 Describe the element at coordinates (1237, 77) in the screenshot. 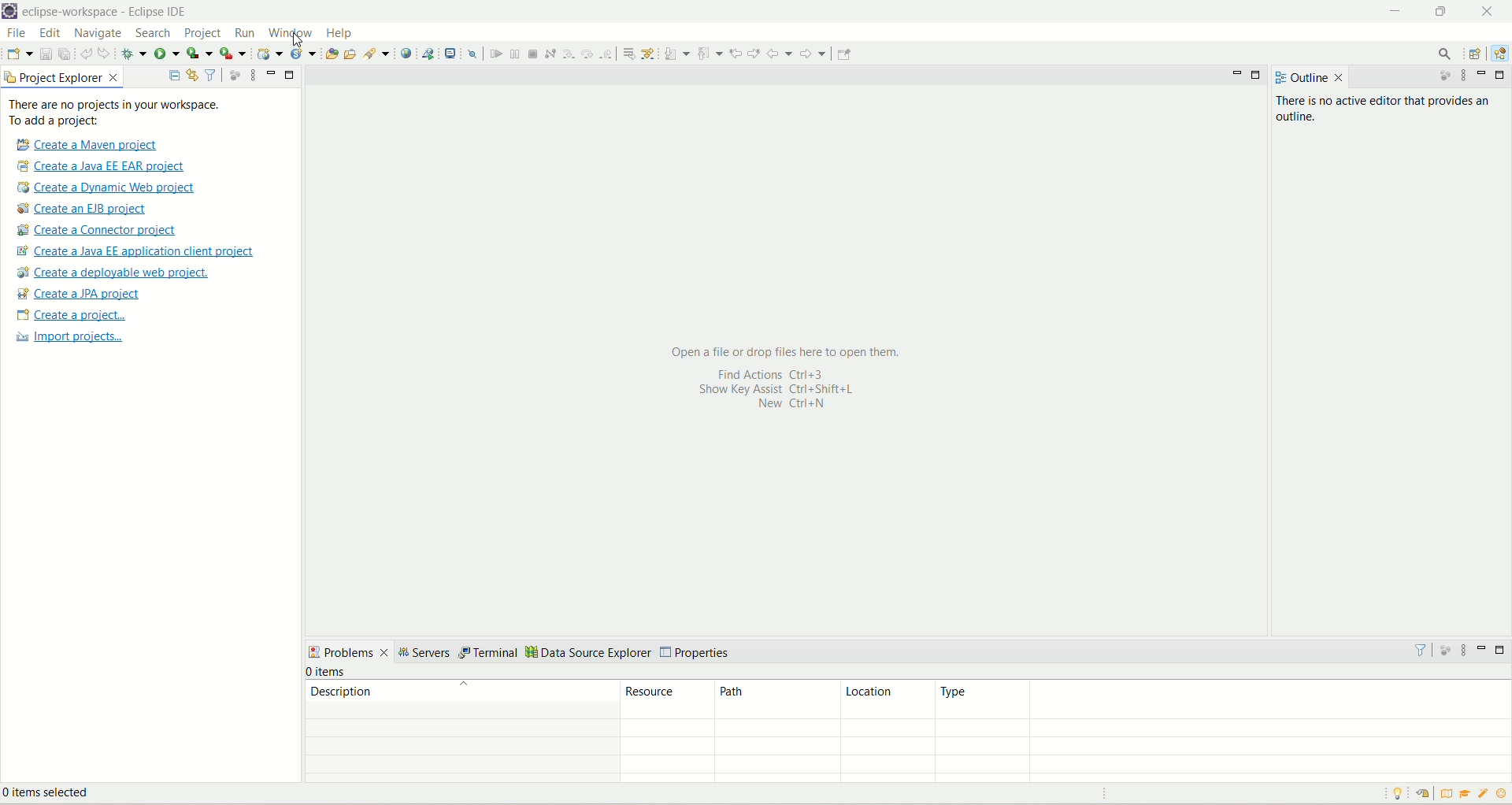

I see `minimize` at that location.